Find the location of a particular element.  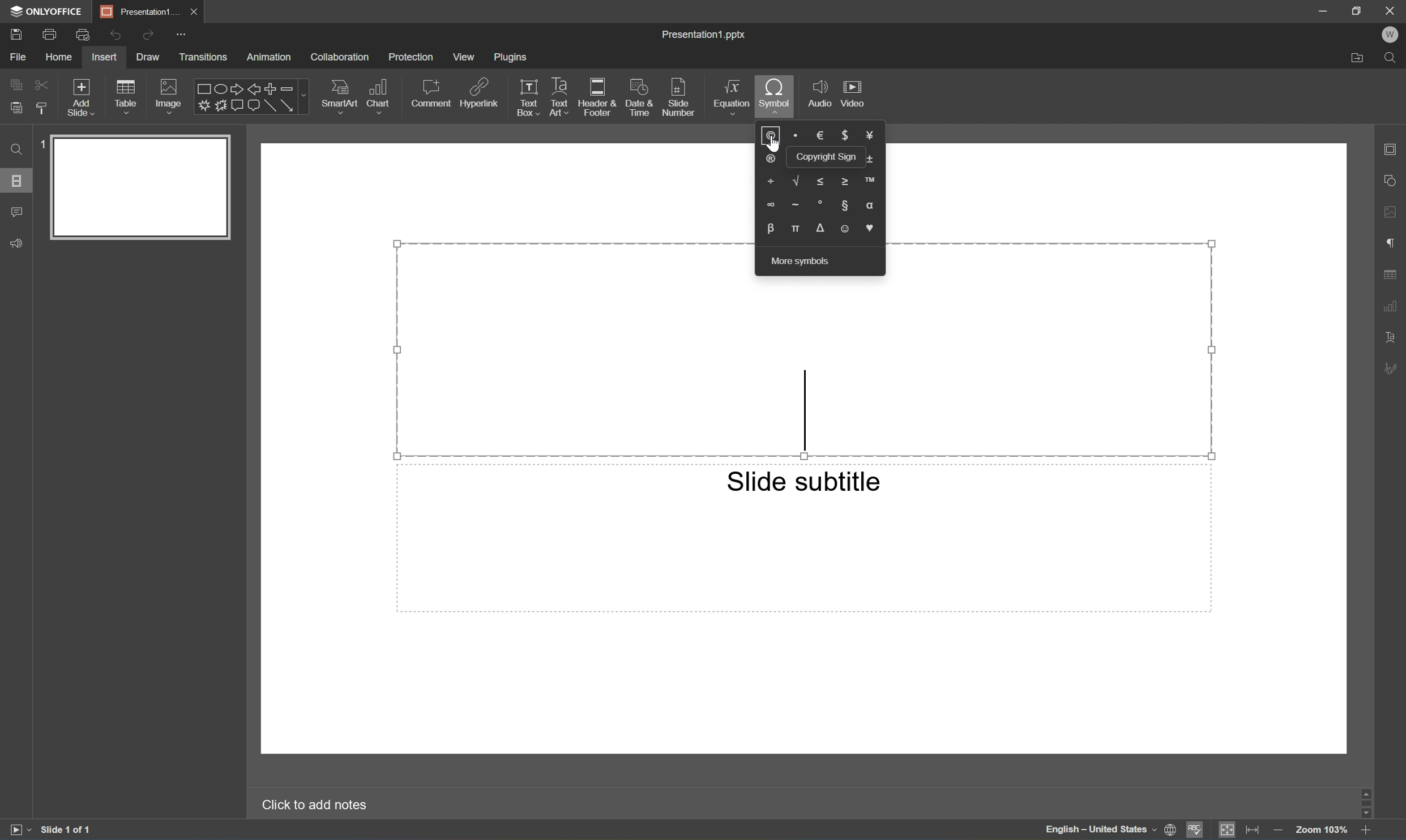

W is located at coordinates (1393, 33).